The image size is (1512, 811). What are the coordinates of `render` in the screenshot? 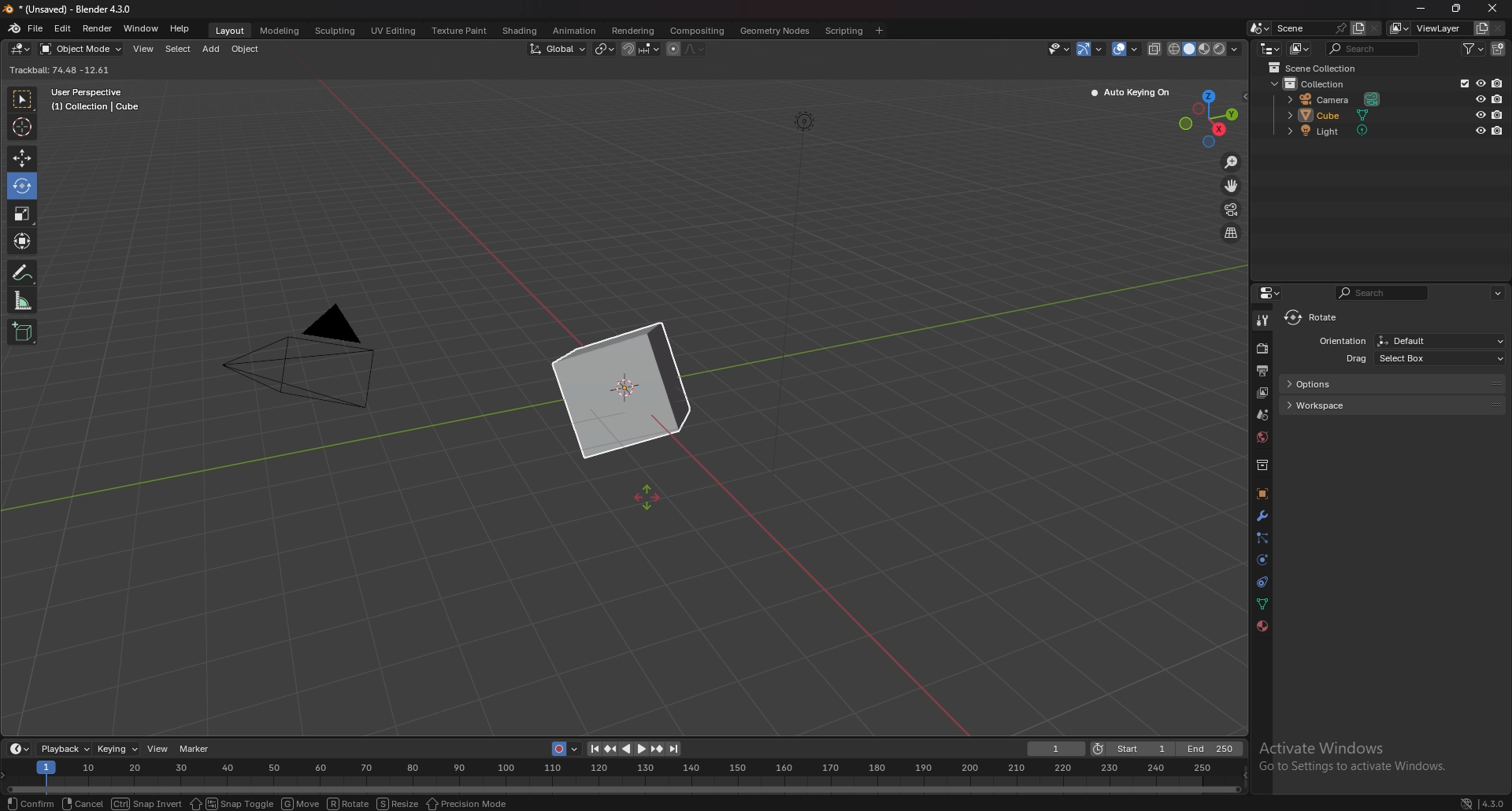 It's located at (97, 28).